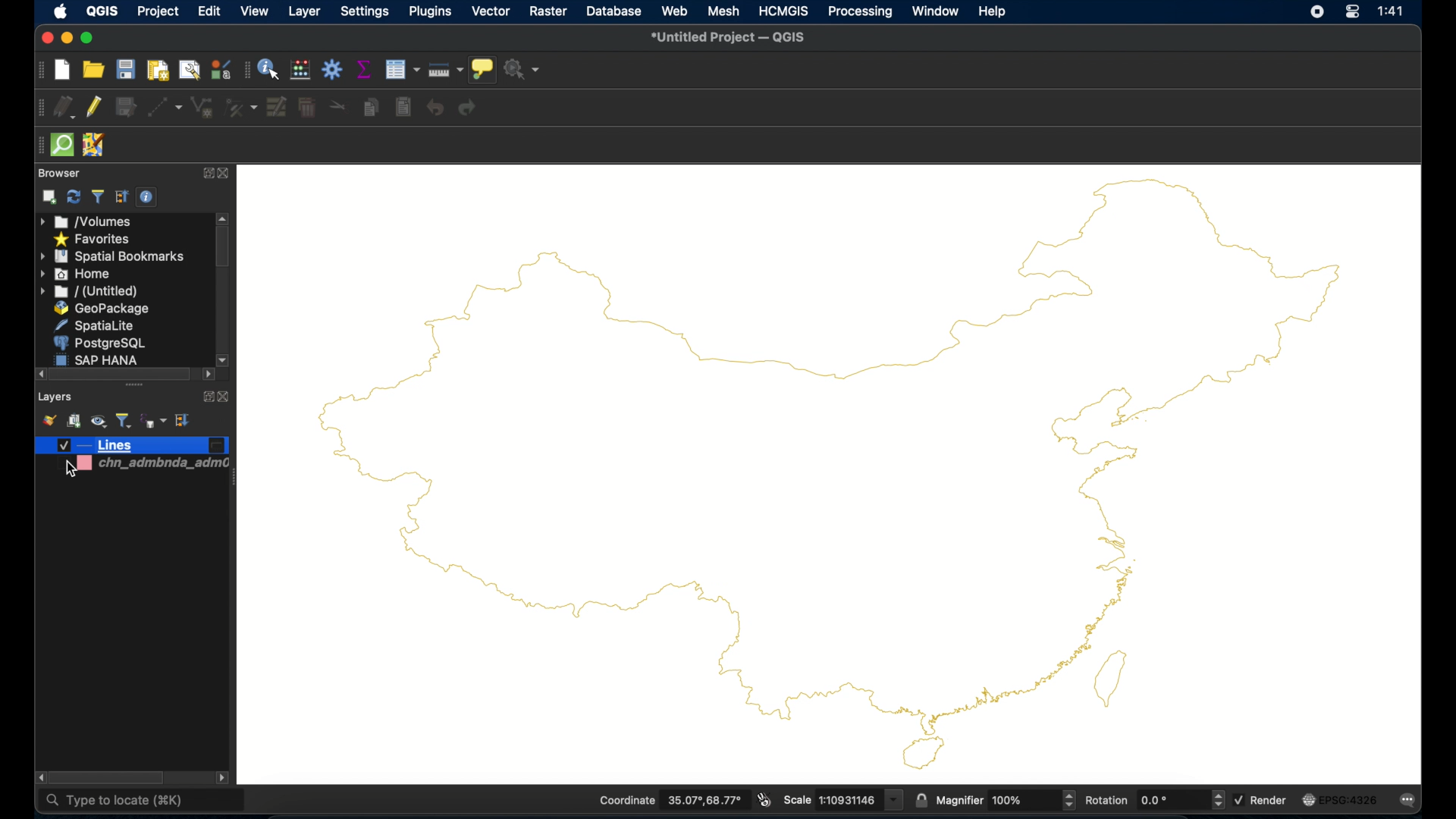 The image size is (1456, 819). I want to click on scroll box, so click(107, 777).